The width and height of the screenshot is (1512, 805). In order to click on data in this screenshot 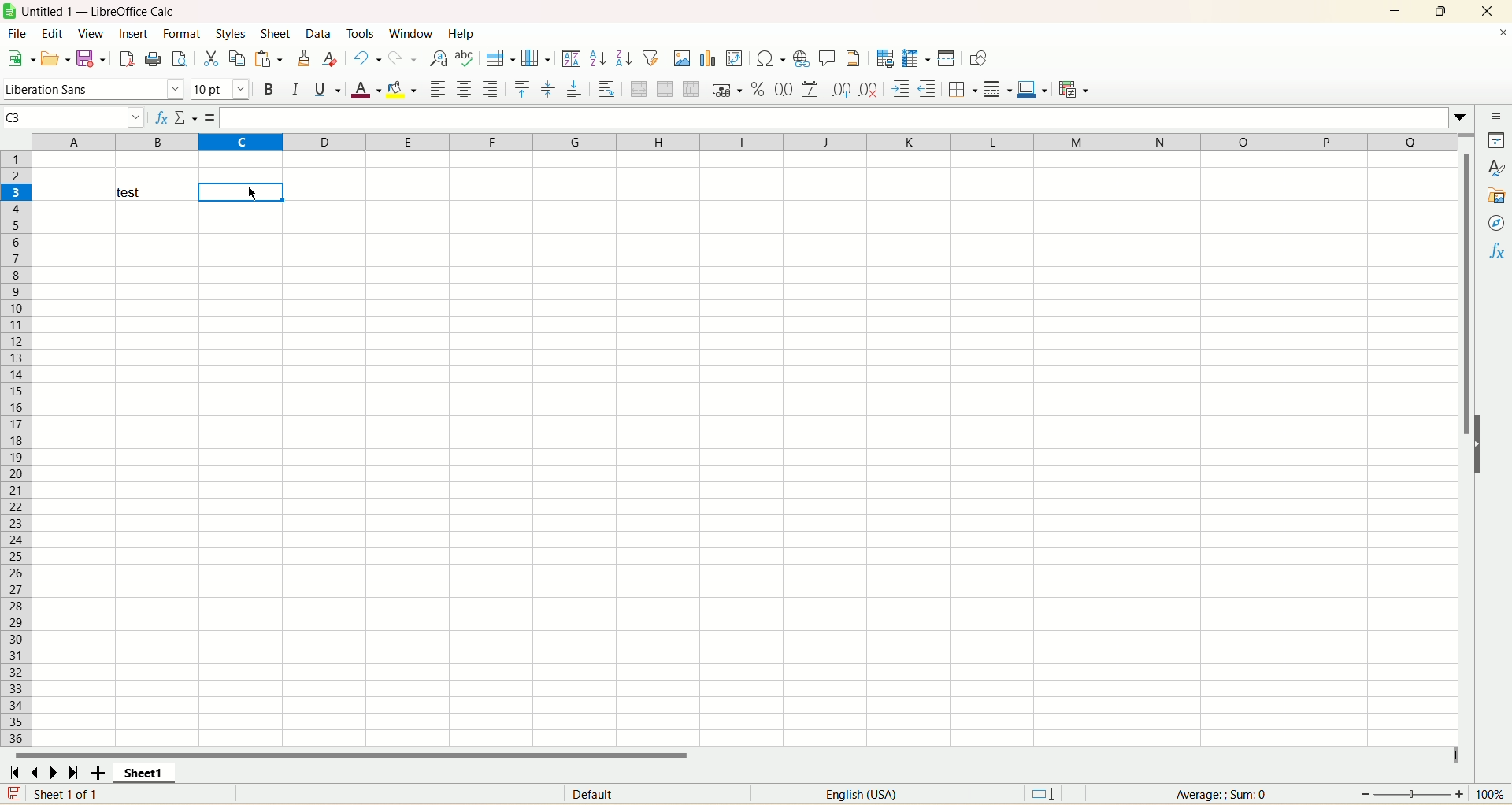, I will do `click(320, 33)`.